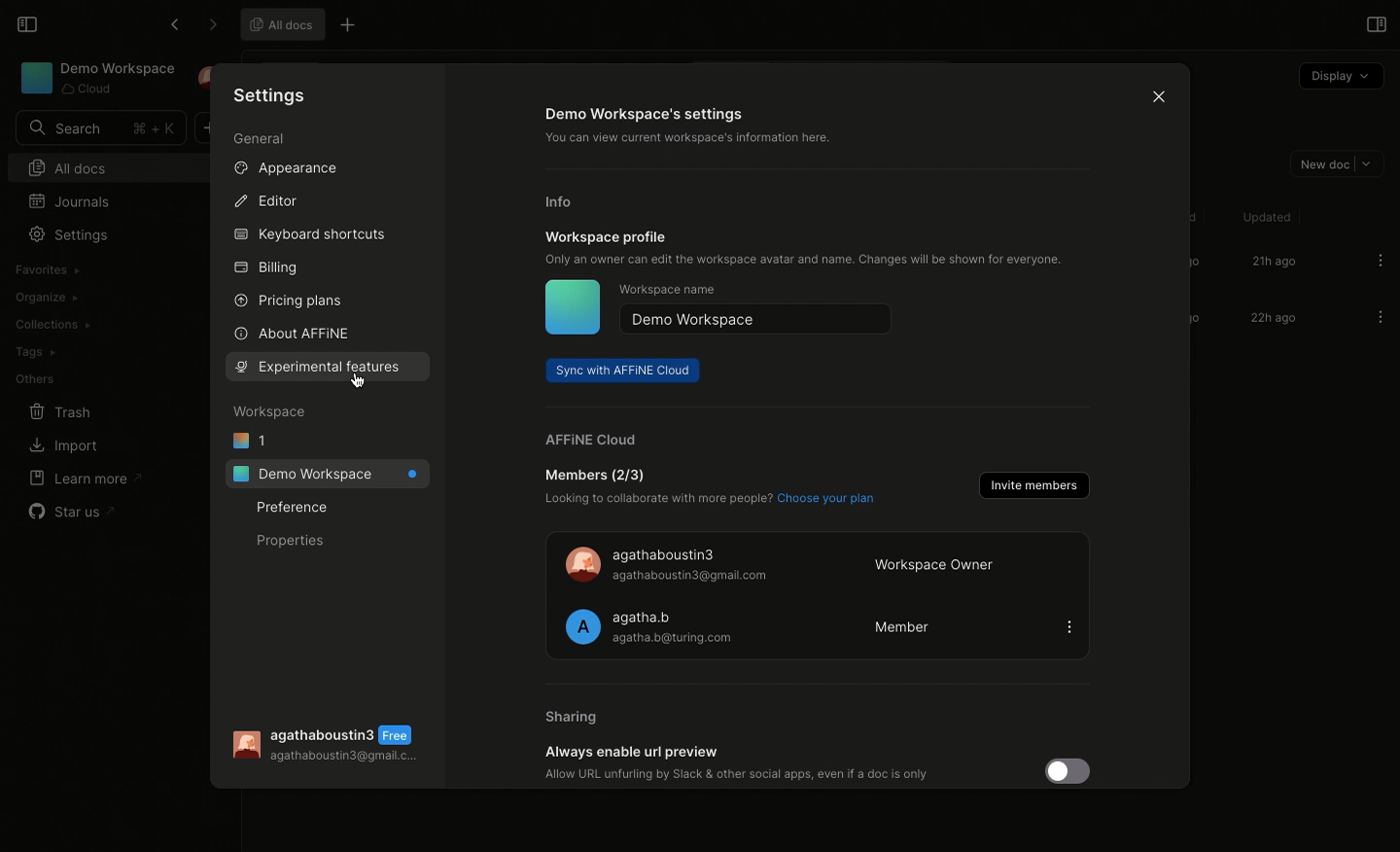 The width and height of the screenshot is (1400, 852). I want to click on Member 1, so click(818, 563).